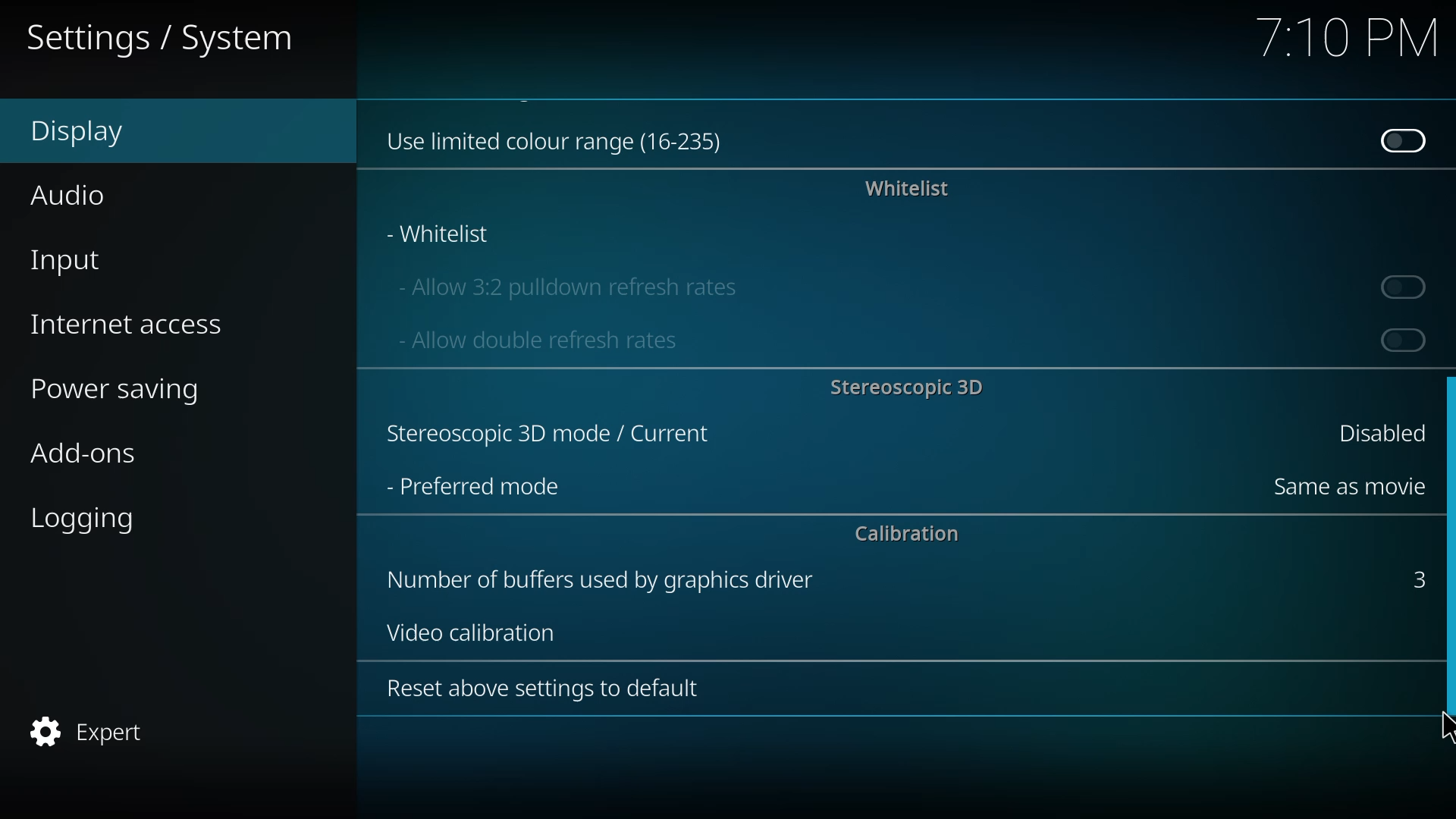  I want to click on allow 3:2 pulldown refresh rate, so click(566, 284).